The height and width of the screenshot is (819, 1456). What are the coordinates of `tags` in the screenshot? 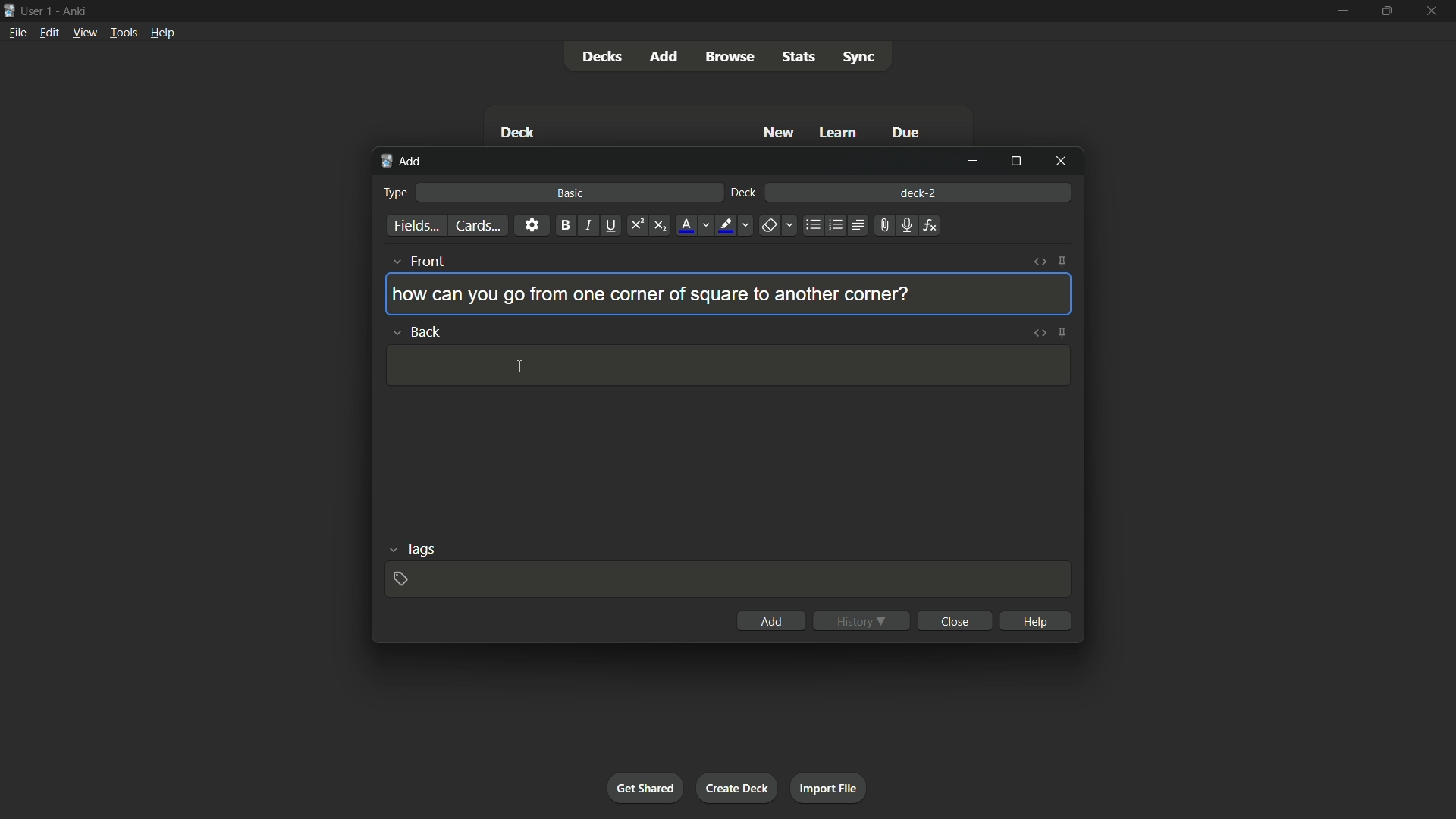 It's located at (409, 550).